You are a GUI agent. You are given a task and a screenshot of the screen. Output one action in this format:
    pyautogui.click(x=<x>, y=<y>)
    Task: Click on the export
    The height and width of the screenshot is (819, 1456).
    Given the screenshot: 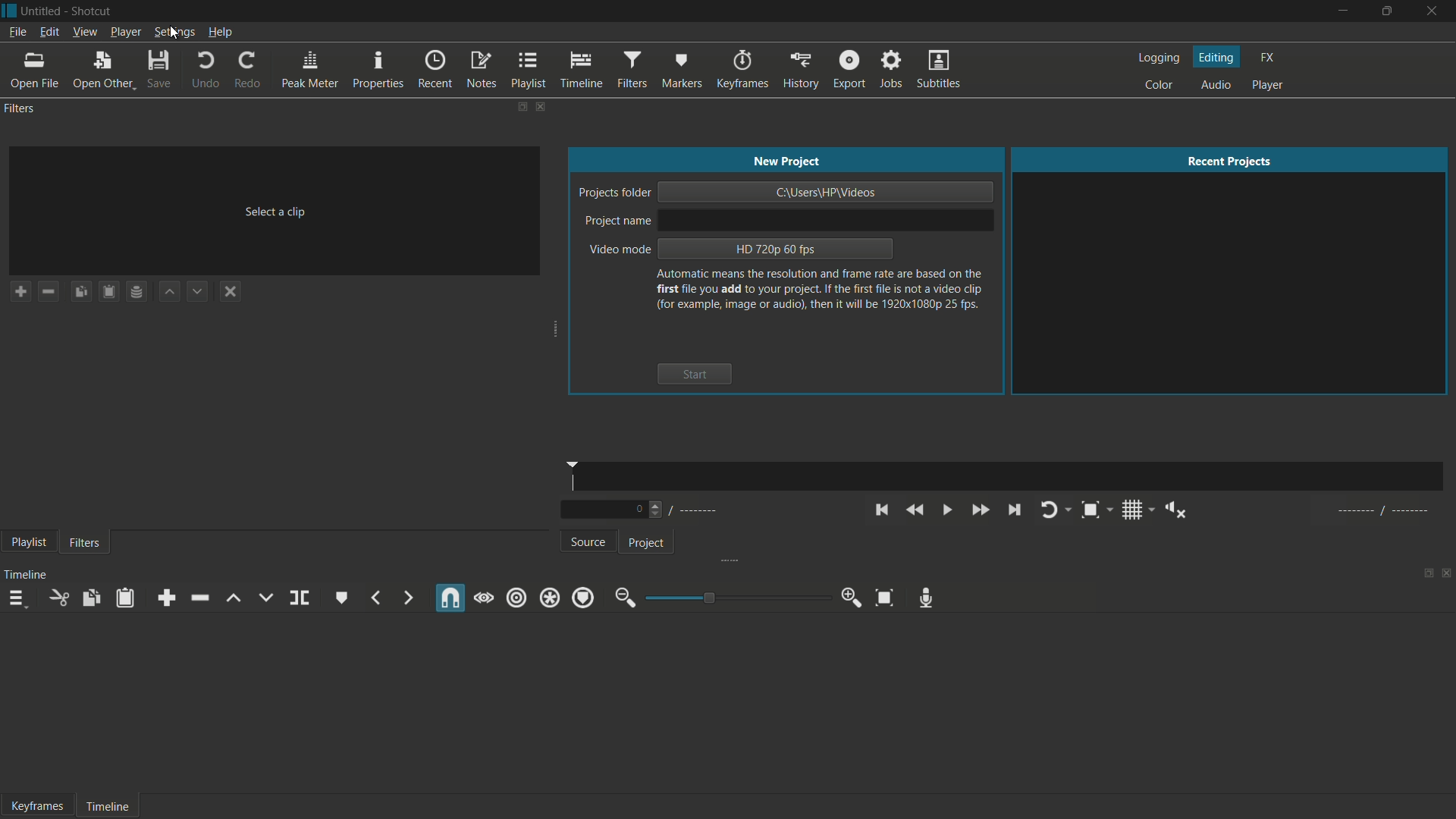 What is the action you would take?
    pyautogui.click(x=850, y=70)
    